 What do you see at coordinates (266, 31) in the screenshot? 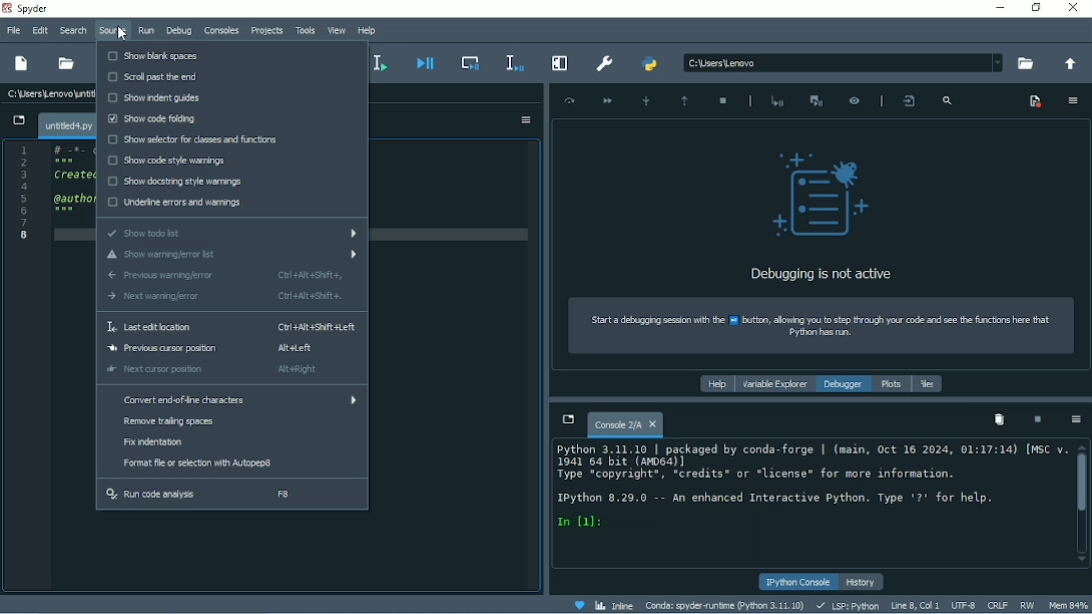
I see `Projects` at bounding box center [266, 31].